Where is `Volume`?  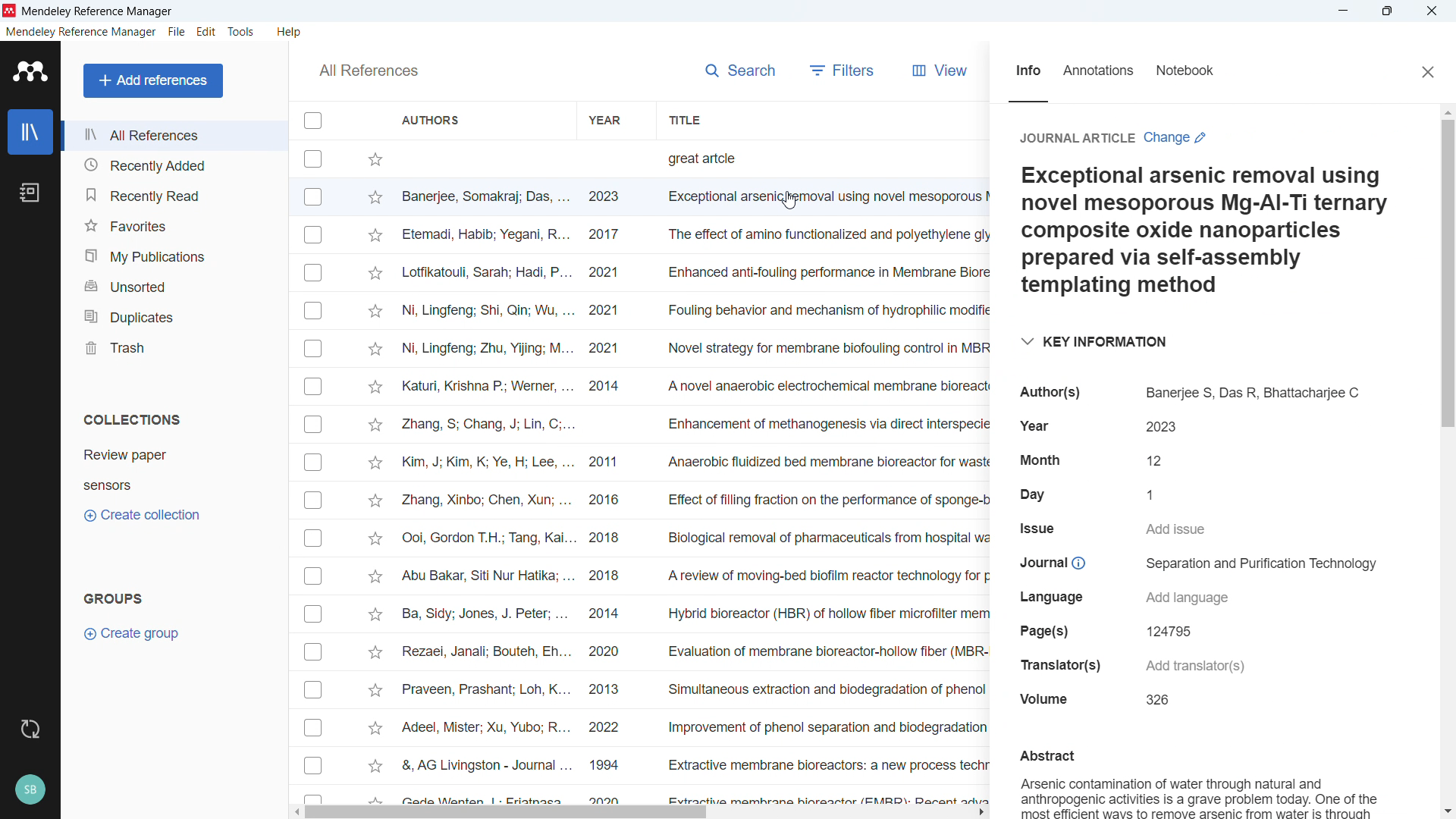 Volume is located at coordinates (1043, 698).